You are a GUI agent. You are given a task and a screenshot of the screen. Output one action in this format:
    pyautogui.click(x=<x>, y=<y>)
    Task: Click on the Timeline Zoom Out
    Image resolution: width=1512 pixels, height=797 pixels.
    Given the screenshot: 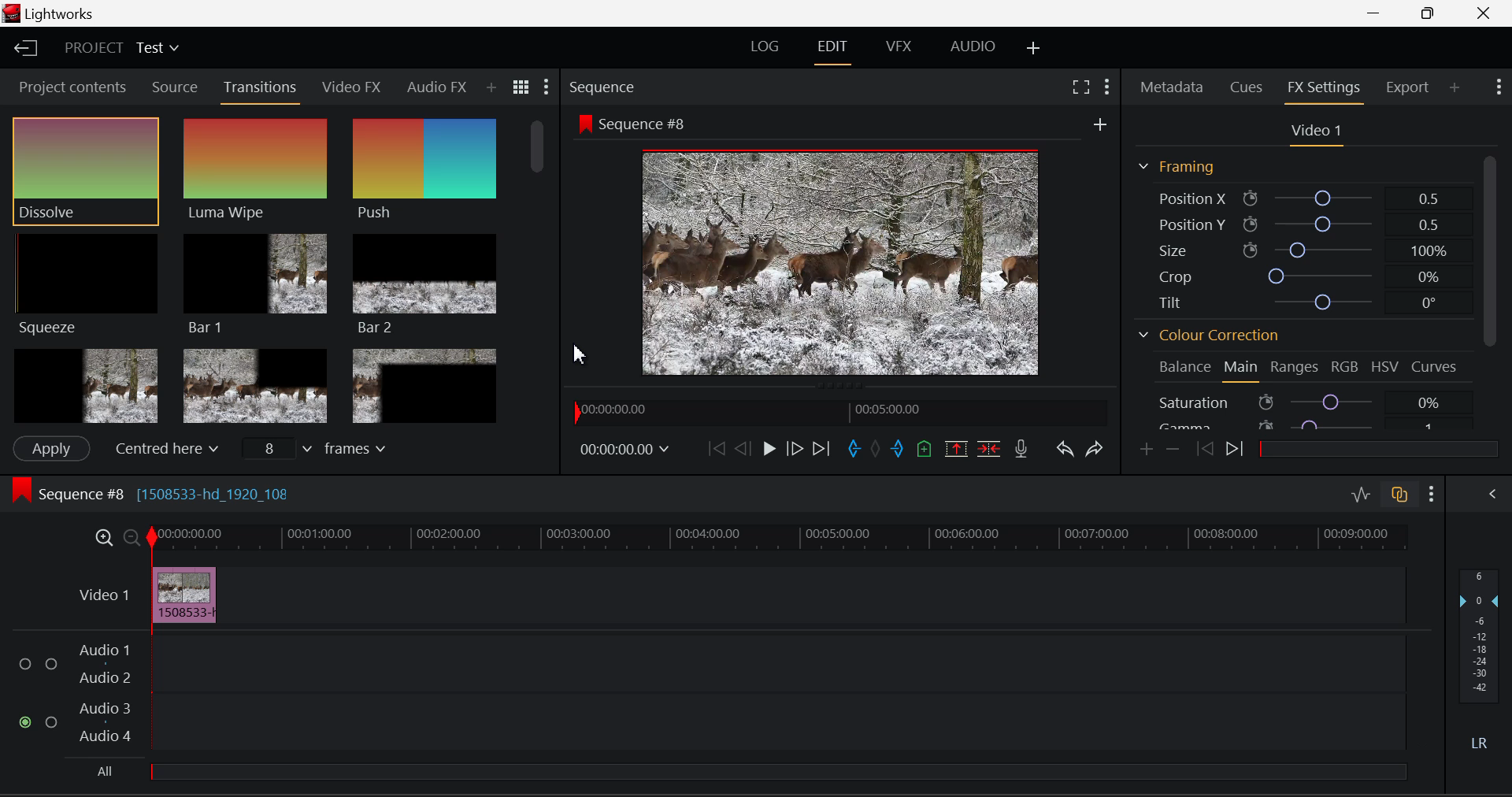 What is the action you would take?
    pyautogui.click(x=131, y=539)
    